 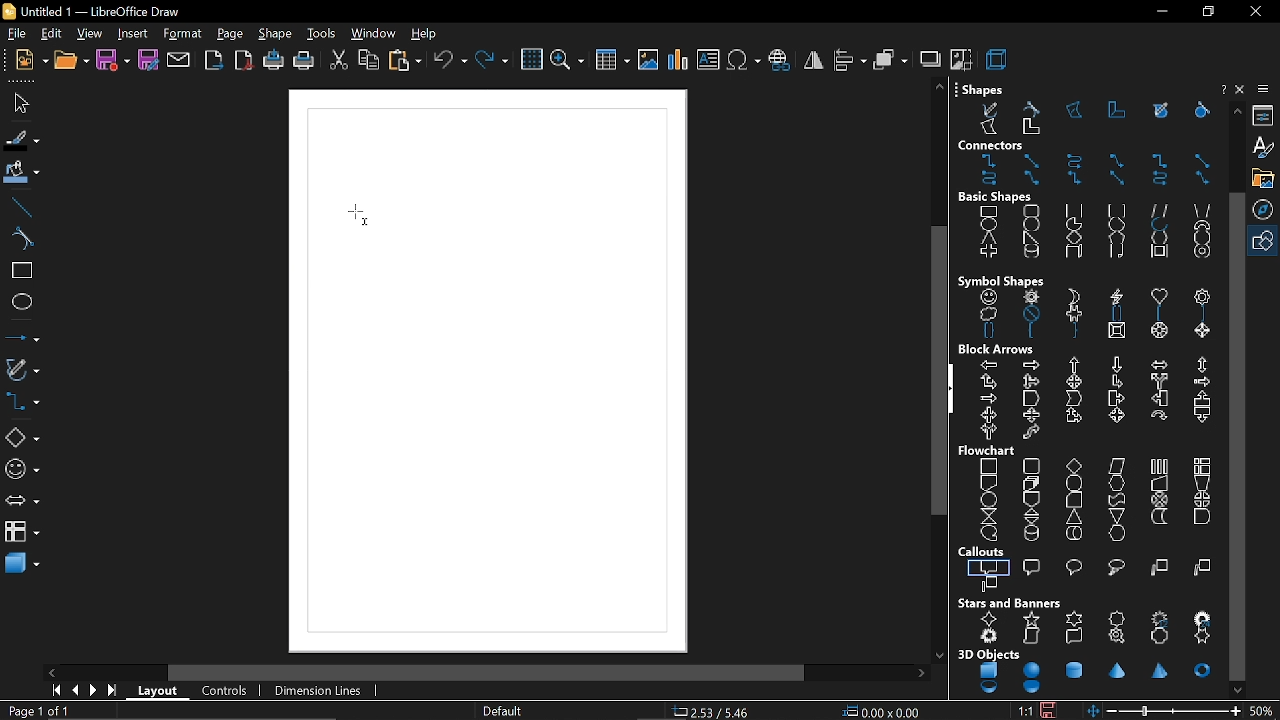 What do you see at coordinates (148, 61) in the screenshot?
I see `save as` at bounding box center [148, 61].